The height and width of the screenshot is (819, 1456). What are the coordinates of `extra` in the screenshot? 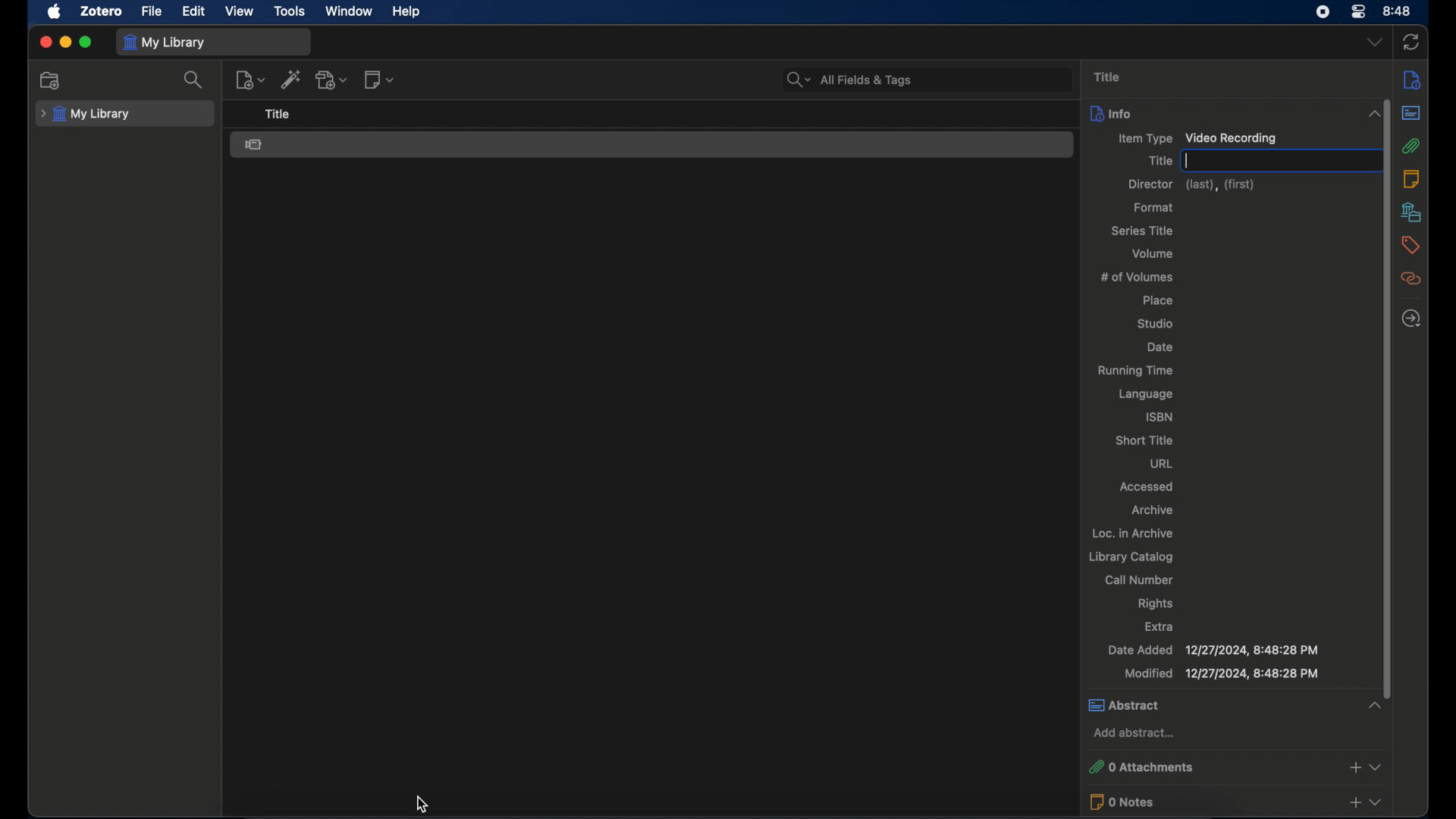 It's located at (1159, 626).